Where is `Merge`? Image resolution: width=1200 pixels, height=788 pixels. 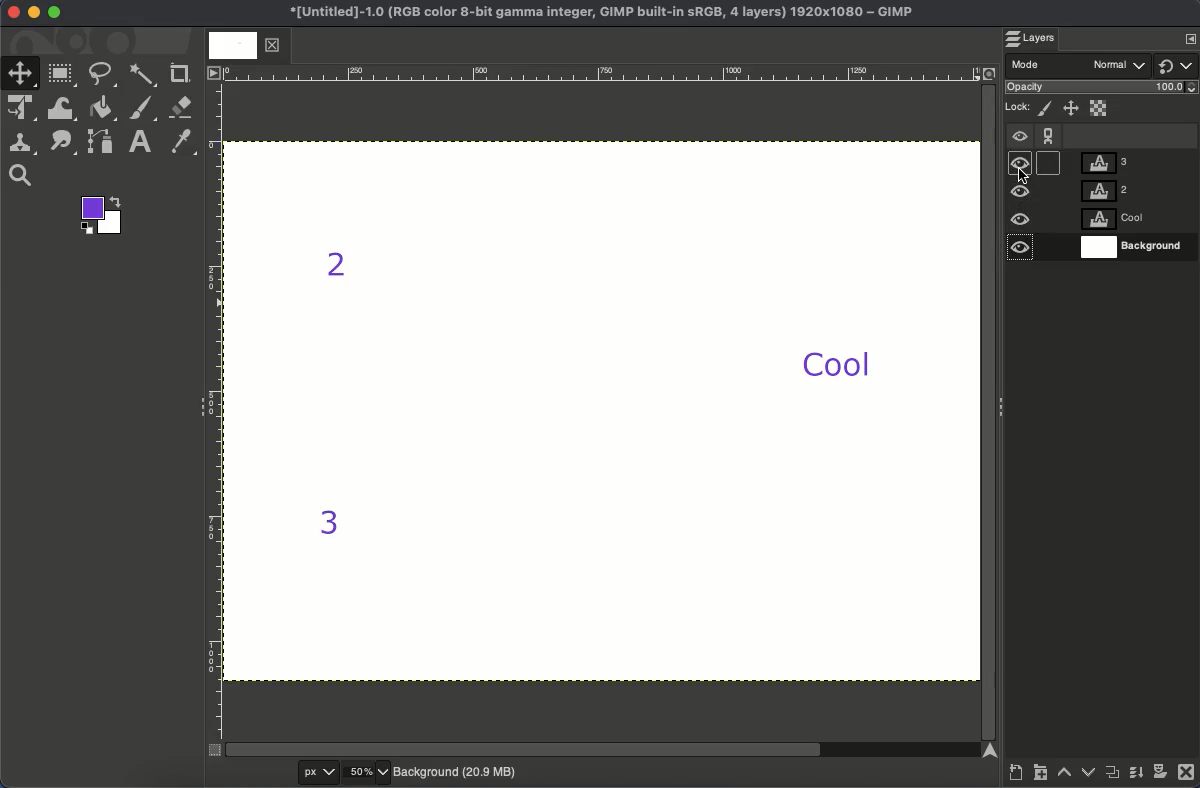
Merge is located at coordinates (1135, 777).